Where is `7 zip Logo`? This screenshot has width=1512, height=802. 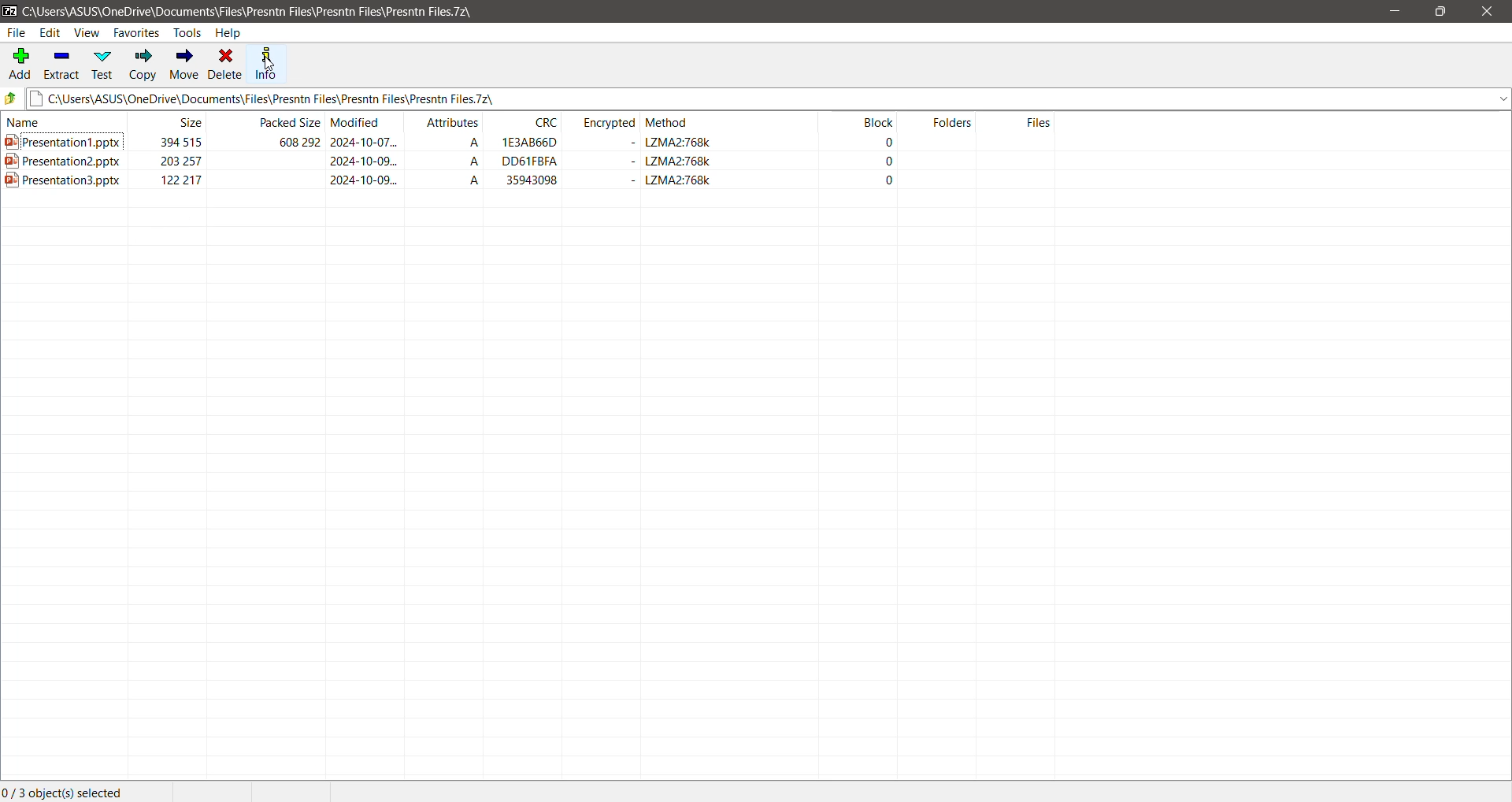
7 zip Logo is located at coordinates (9, 12).